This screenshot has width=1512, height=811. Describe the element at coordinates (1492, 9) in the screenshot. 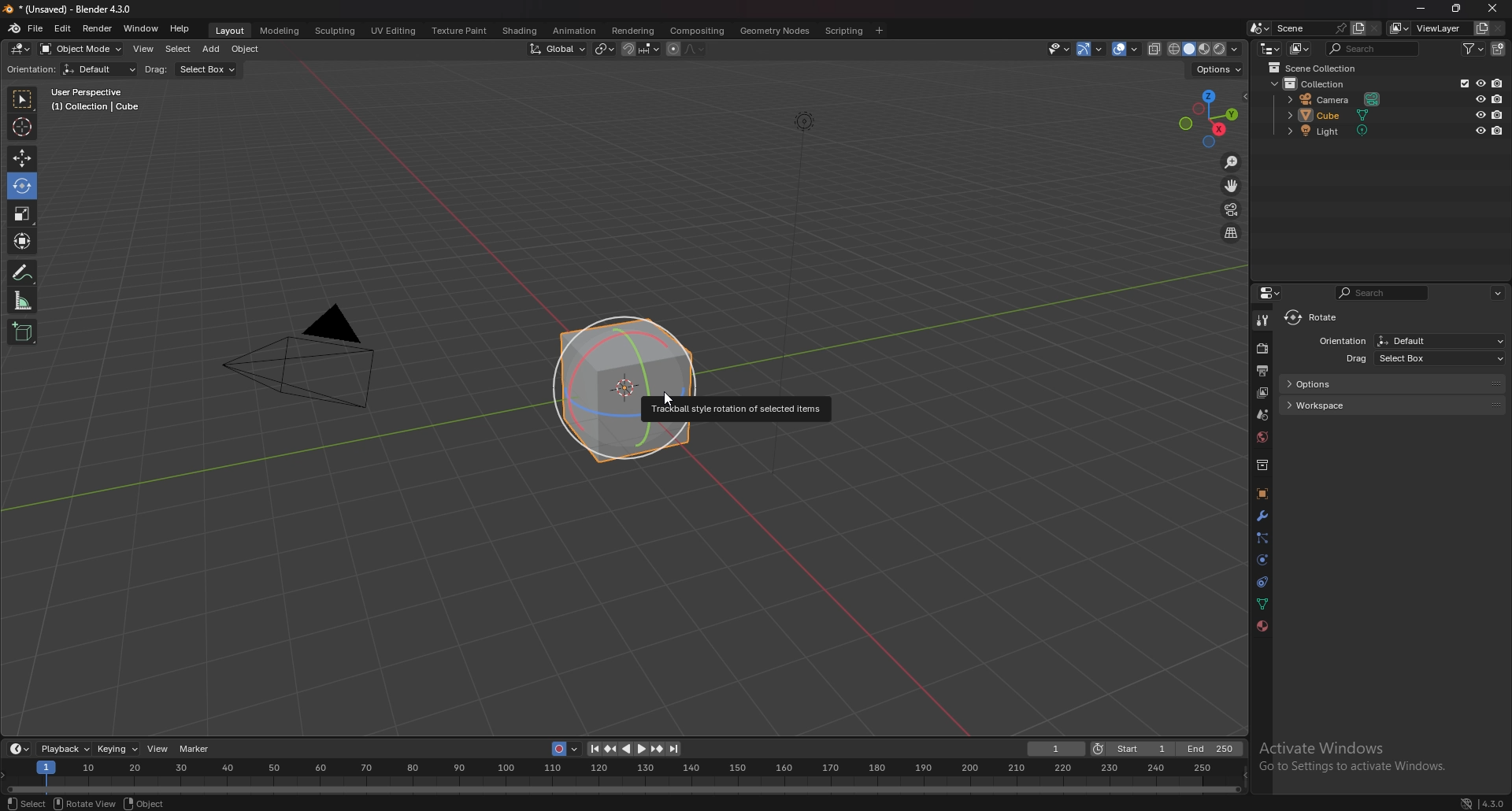

I see `close` at that location.